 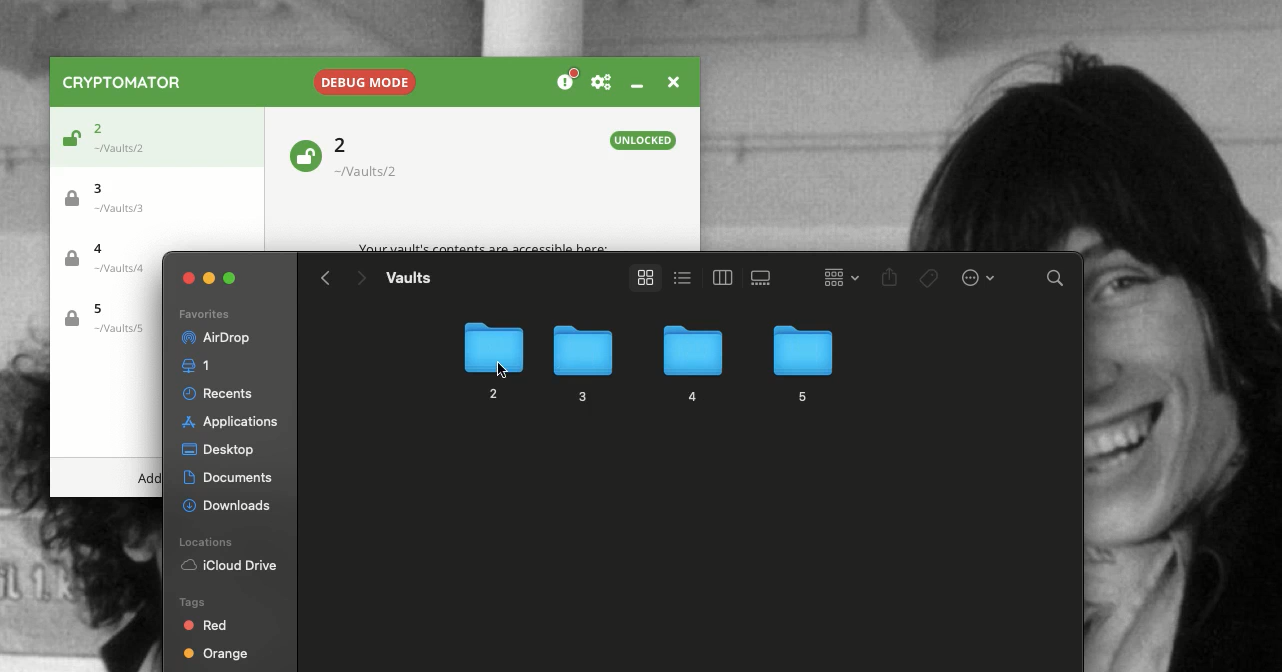 I want to click on Applications, so click(x=227, y=422).